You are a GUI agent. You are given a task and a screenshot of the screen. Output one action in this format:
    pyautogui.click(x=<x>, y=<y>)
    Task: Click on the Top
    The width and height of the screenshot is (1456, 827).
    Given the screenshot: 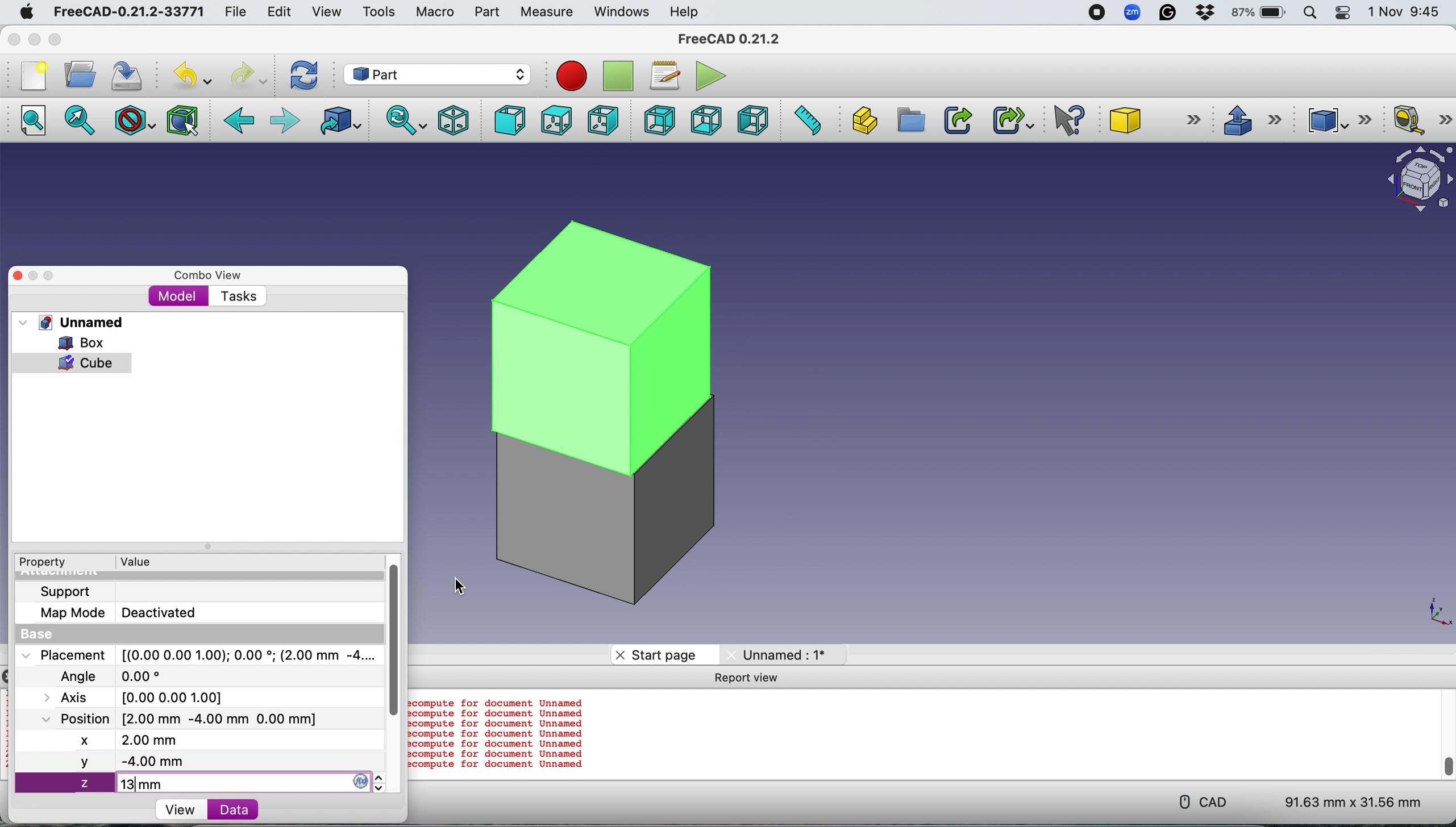 What is the action you would take?
    pyautogui.click(x=555, y=121)
    